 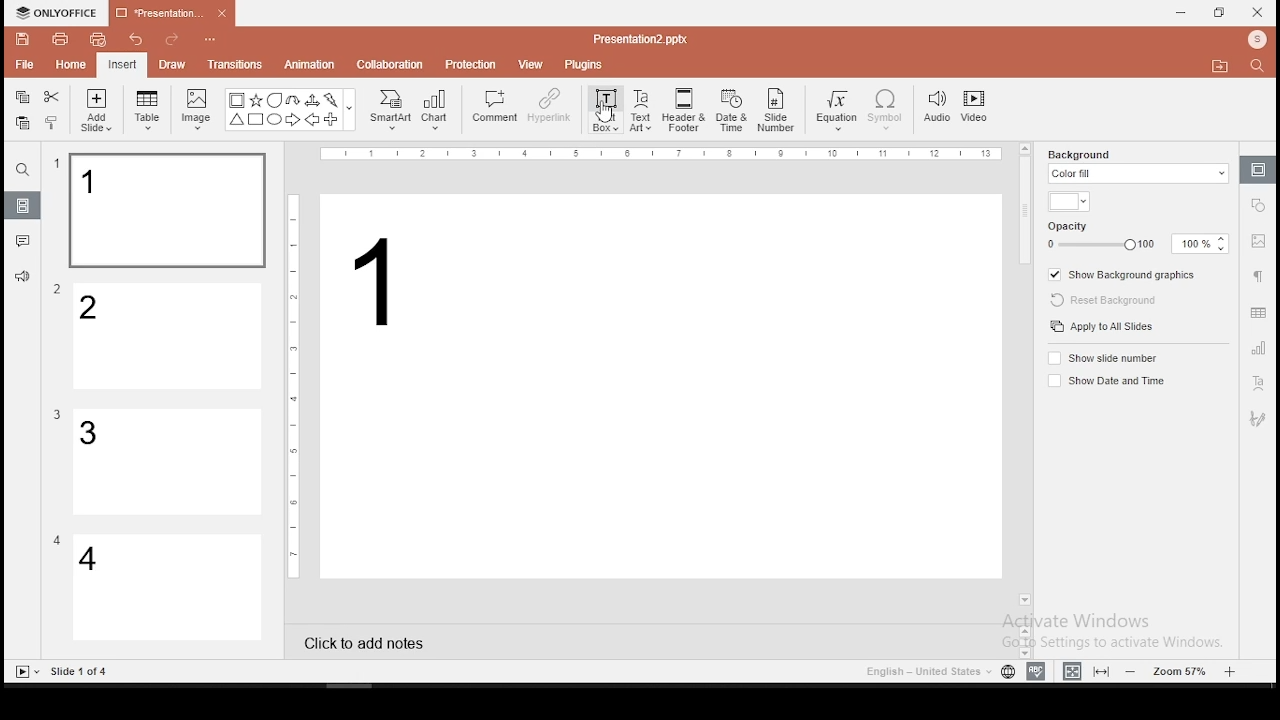 I want to click on animation, so click(x=308, y=66).